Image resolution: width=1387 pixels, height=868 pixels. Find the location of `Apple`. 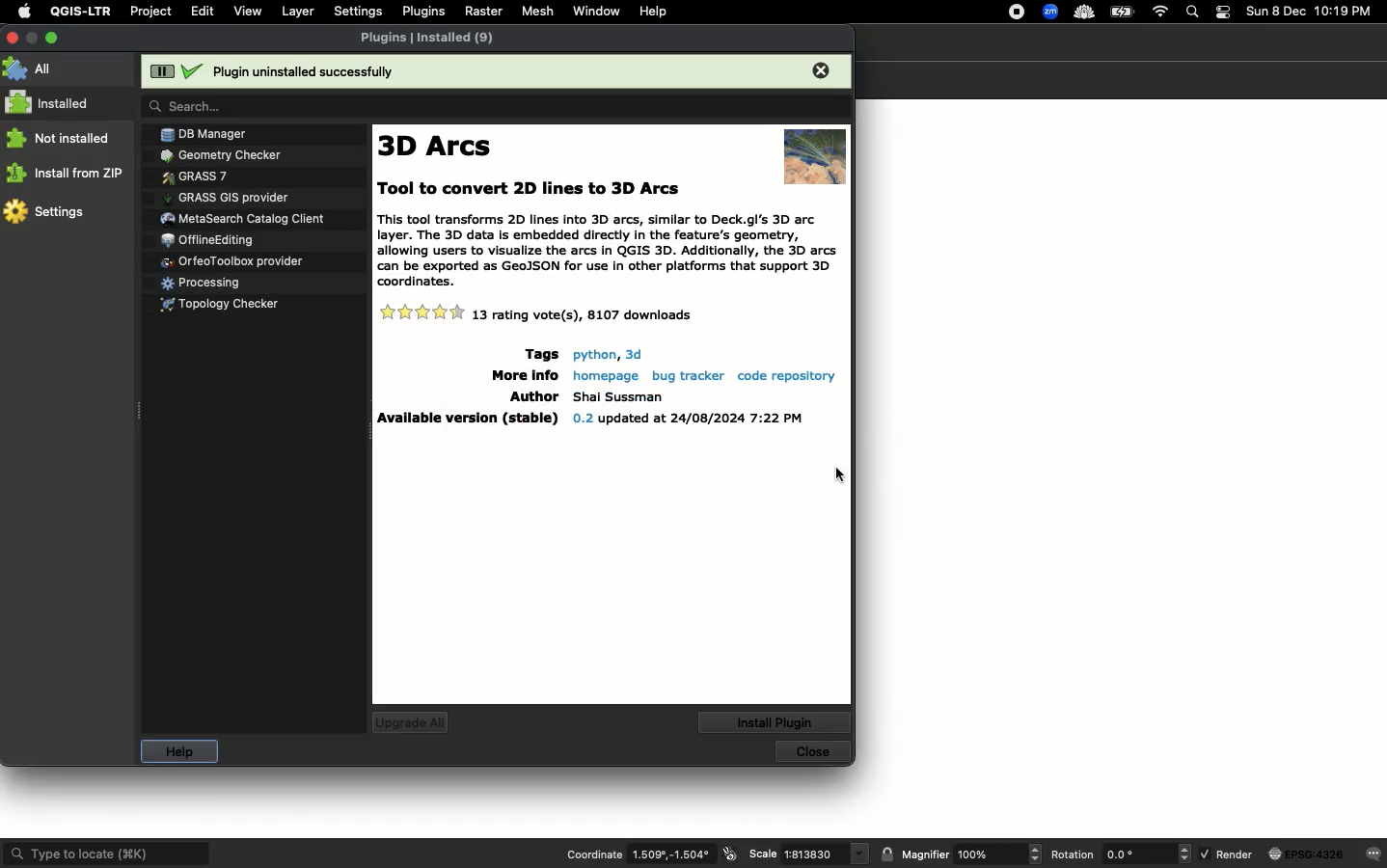

Apple is located at coordinates (24, 10).